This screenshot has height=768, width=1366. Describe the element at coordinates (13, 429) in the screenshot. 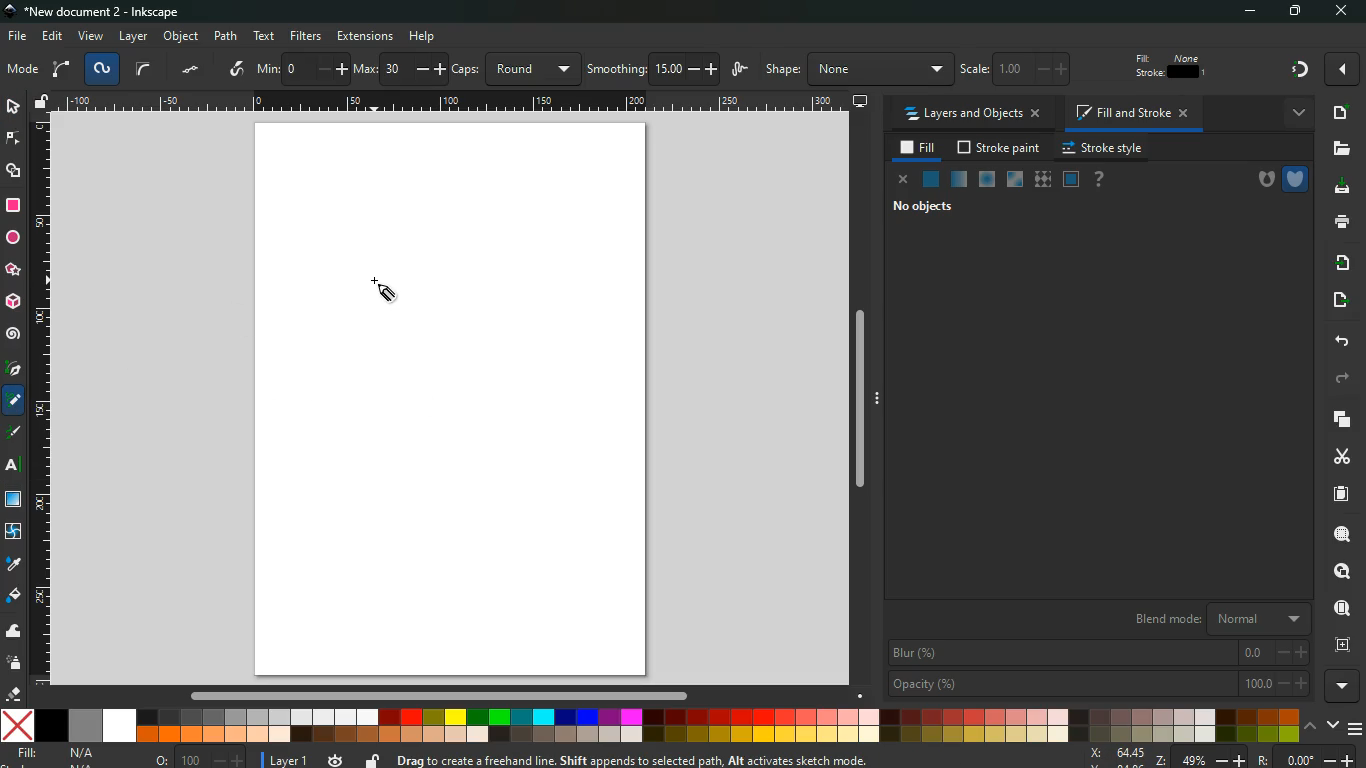

I see `description` at that location.